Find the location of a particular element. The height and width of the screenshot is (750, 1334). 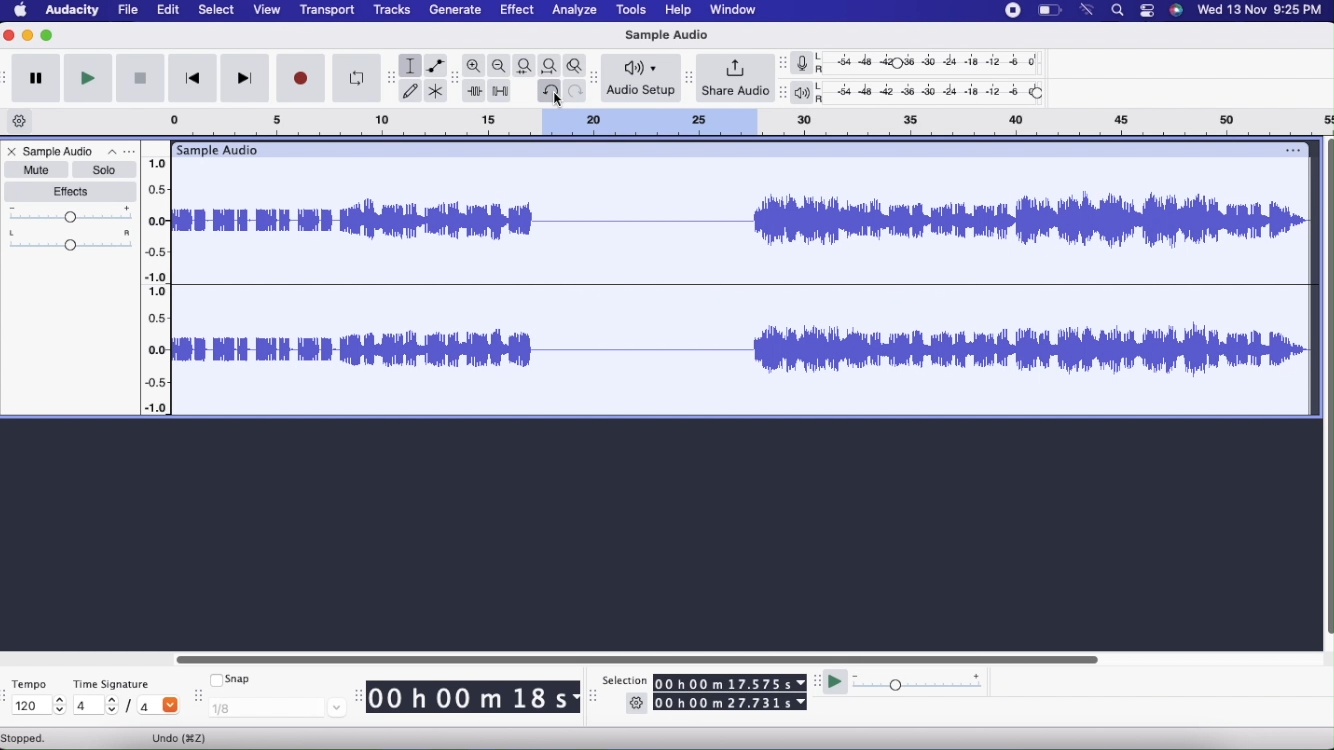

Enable looping is located at coordinates (358, 78).